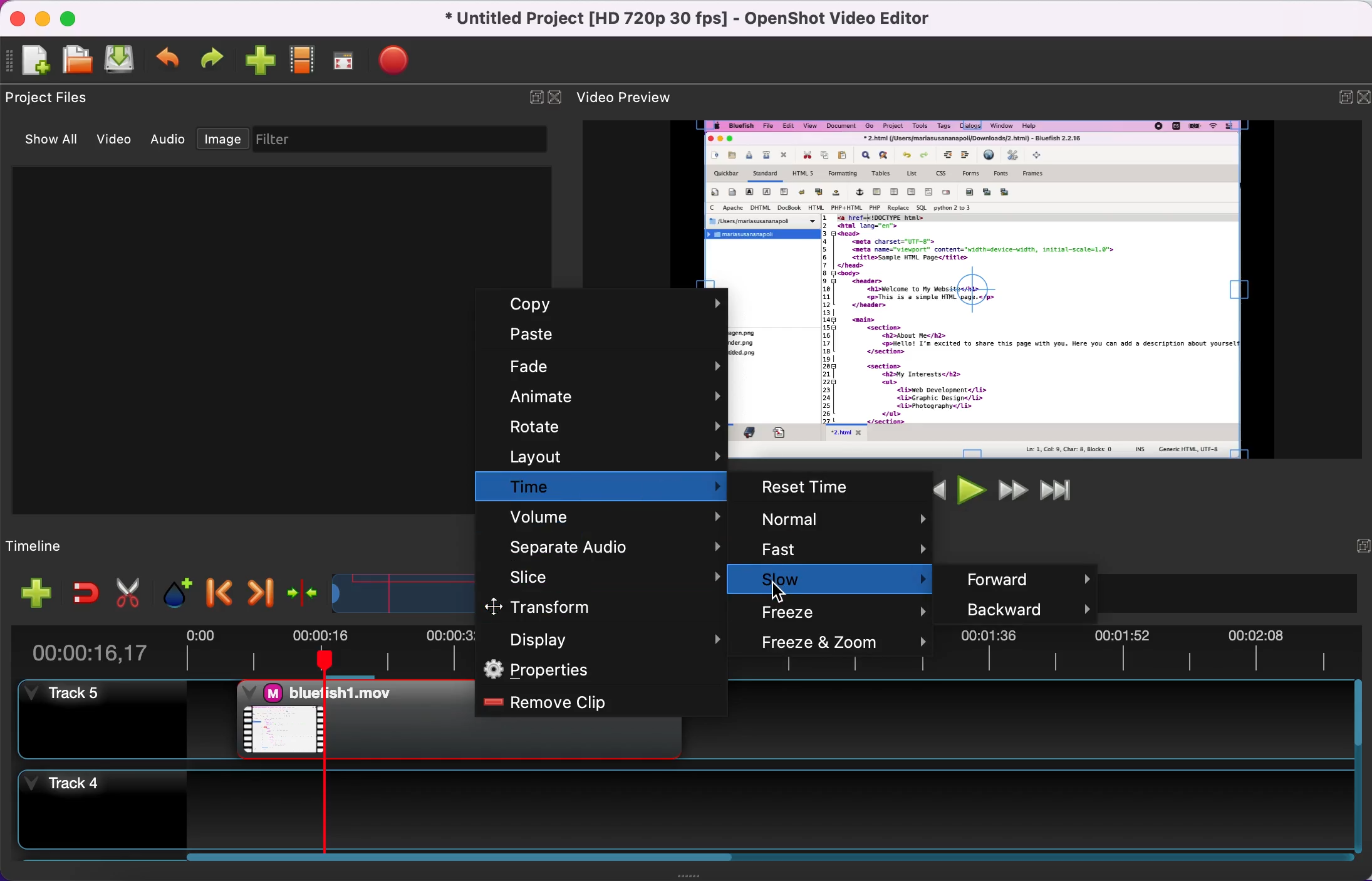 This screenshot has width=1372, height=881. What do you see at coordinates (589, 607) in the screenshot?
I see `transform` at bounding box center [589, 607].